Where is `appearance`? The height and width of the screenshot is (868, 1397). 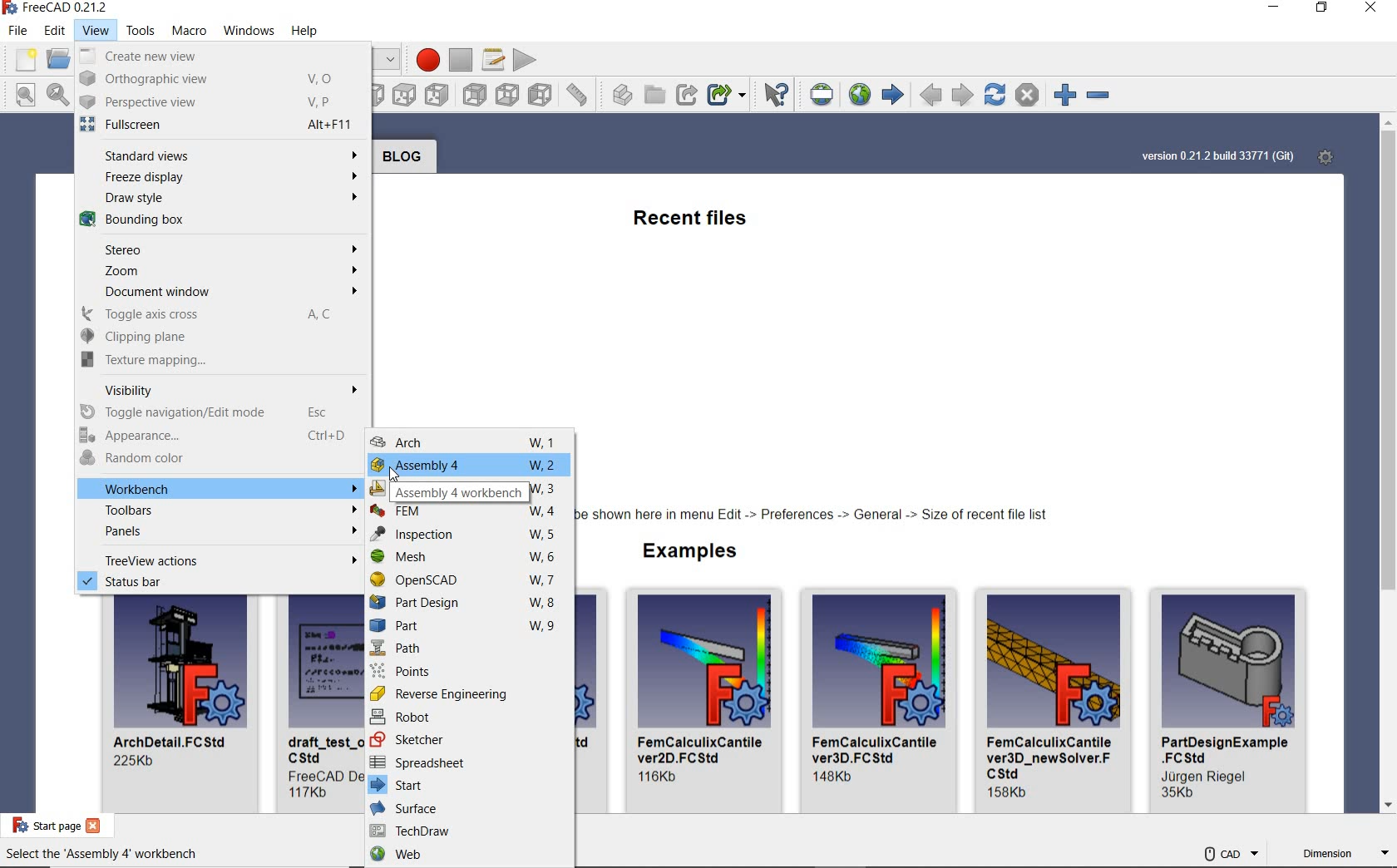
appearance is located at coordinates (220, 436).